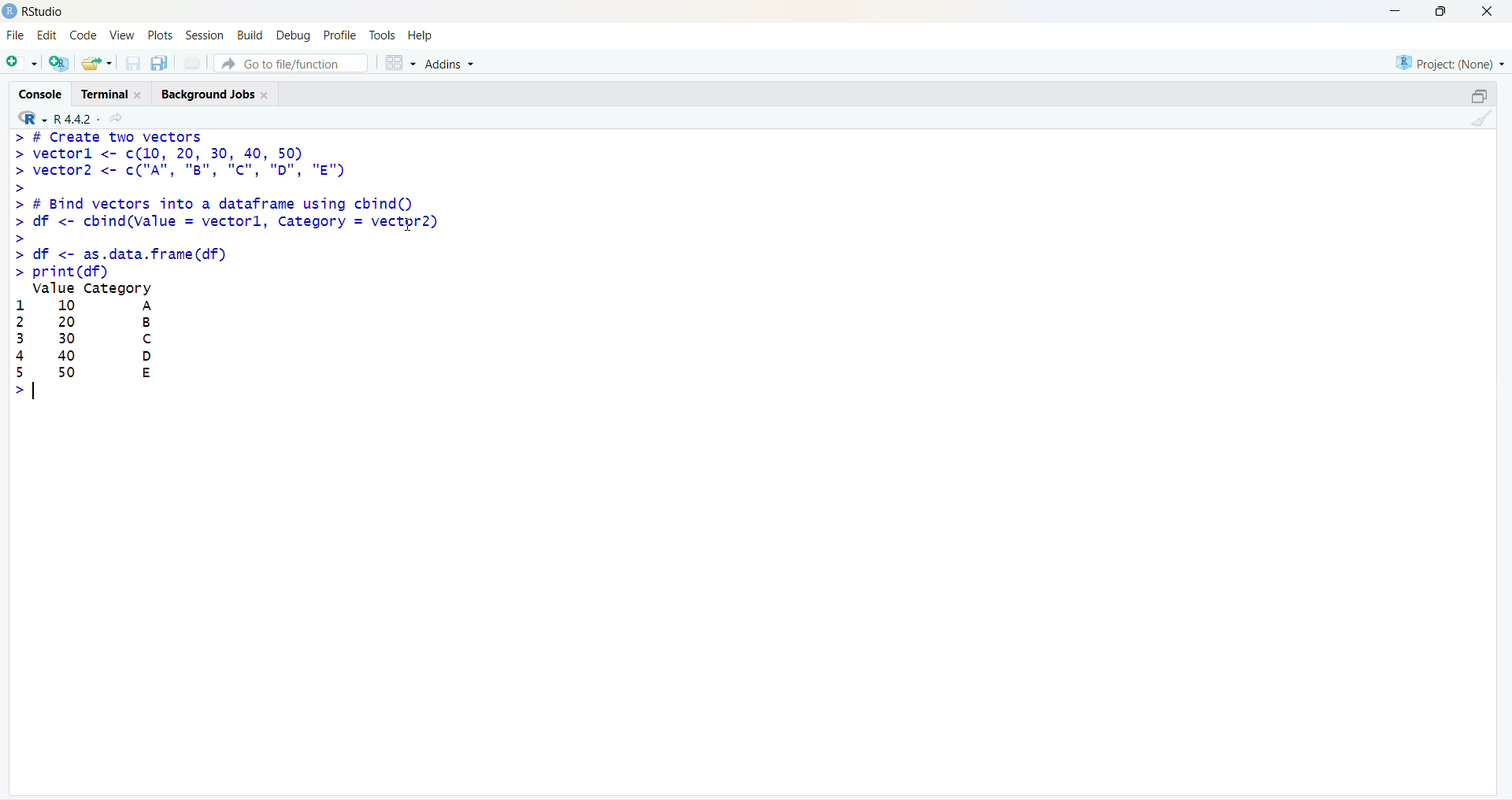 The height and width of the screenshot is (800, 1512). Describe the element at coordinates (58, 272) in the screenshot. I see `print (df)` at that location.